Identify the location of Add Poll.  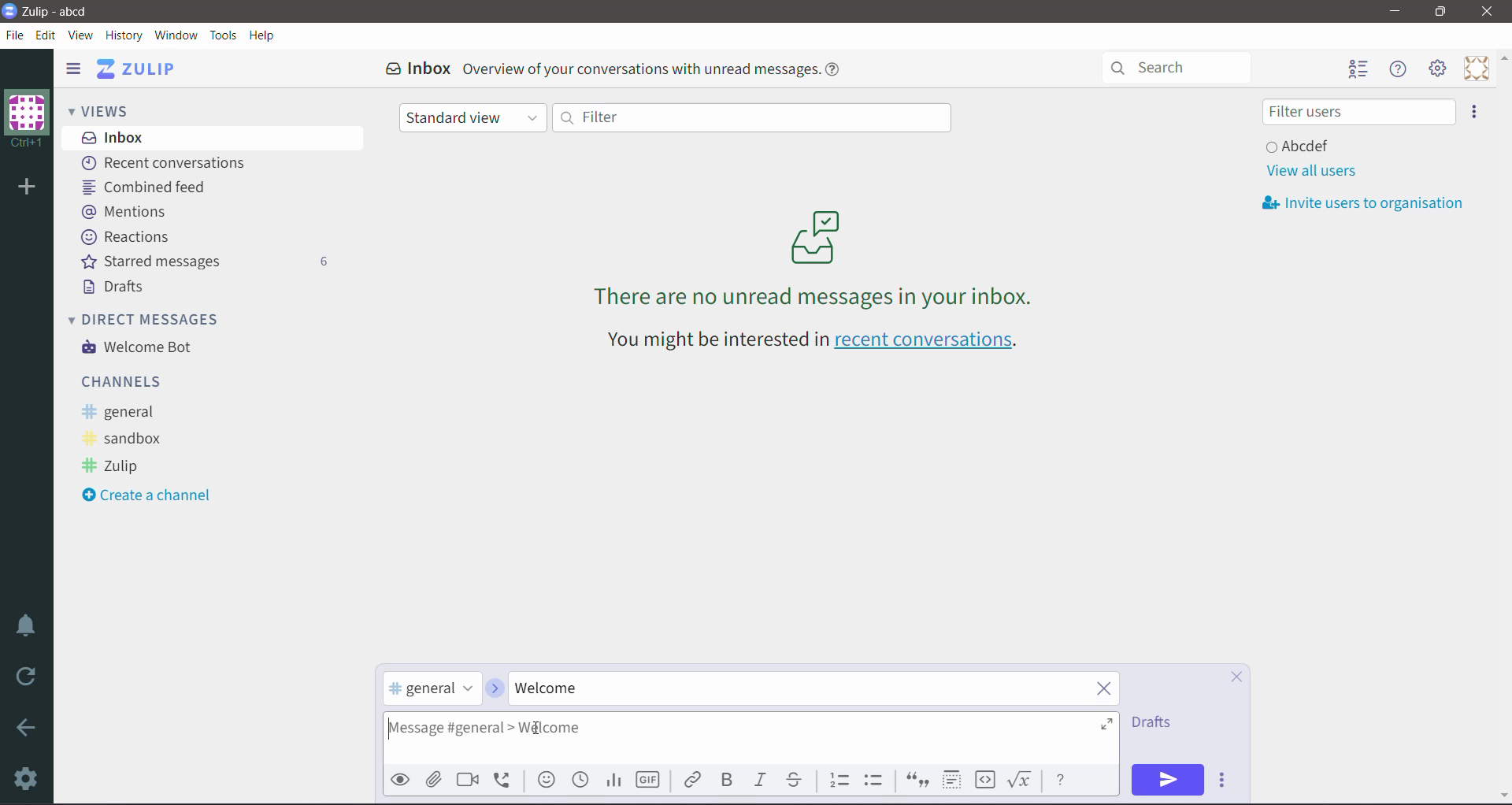
(613, 780).